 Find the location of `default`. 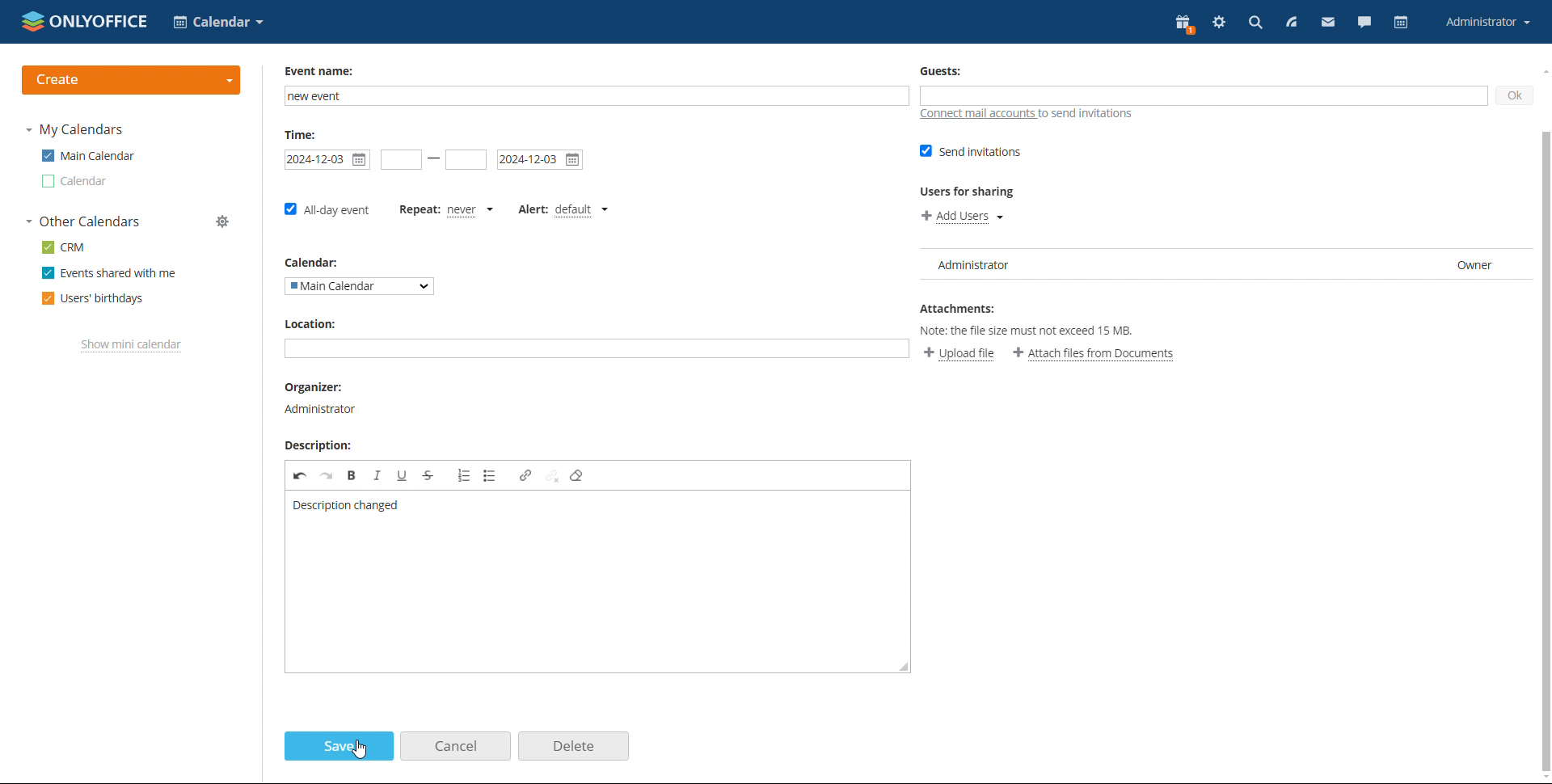

default is located at coordinates (583, 211).